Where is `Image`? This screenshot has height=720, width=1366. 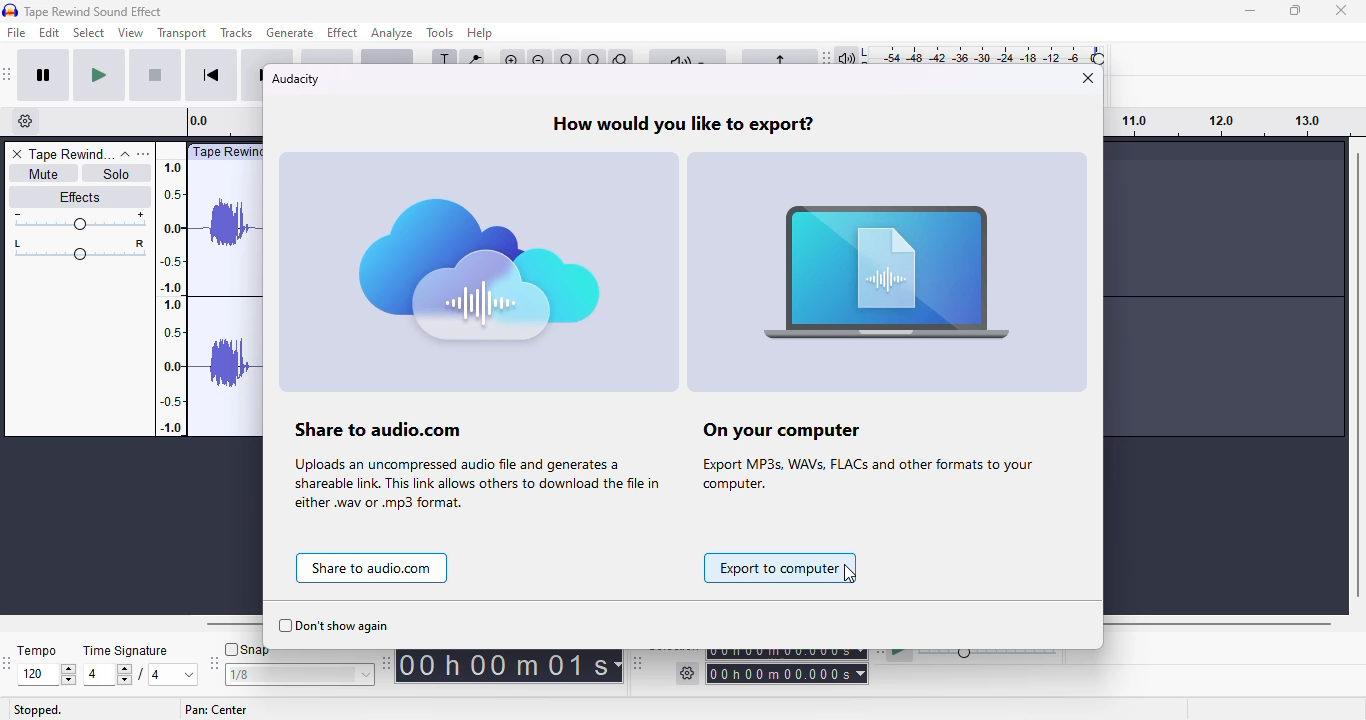 Image is located at coordinates (891, 276).